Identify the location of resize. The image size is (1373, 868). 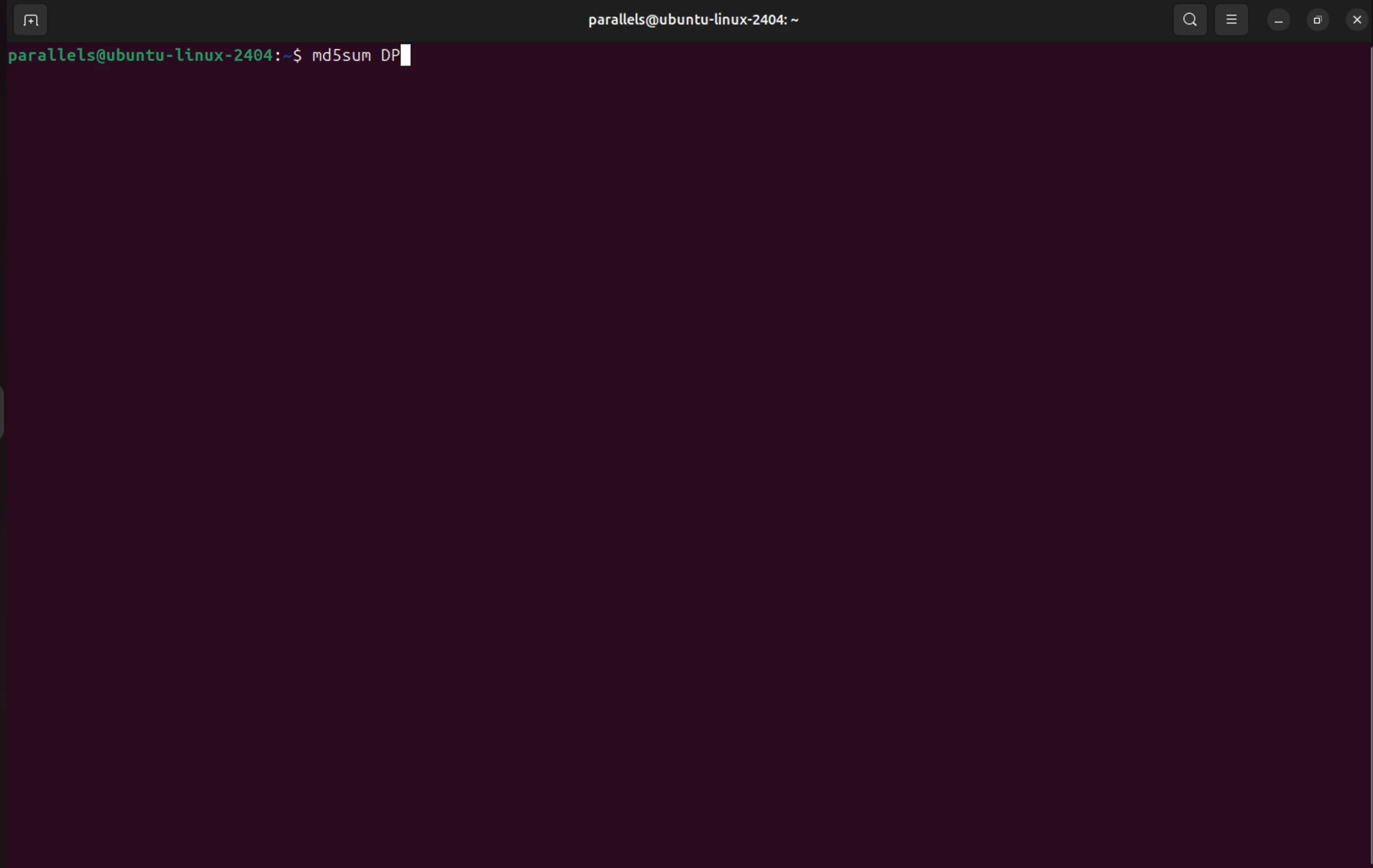
(1317, 19).